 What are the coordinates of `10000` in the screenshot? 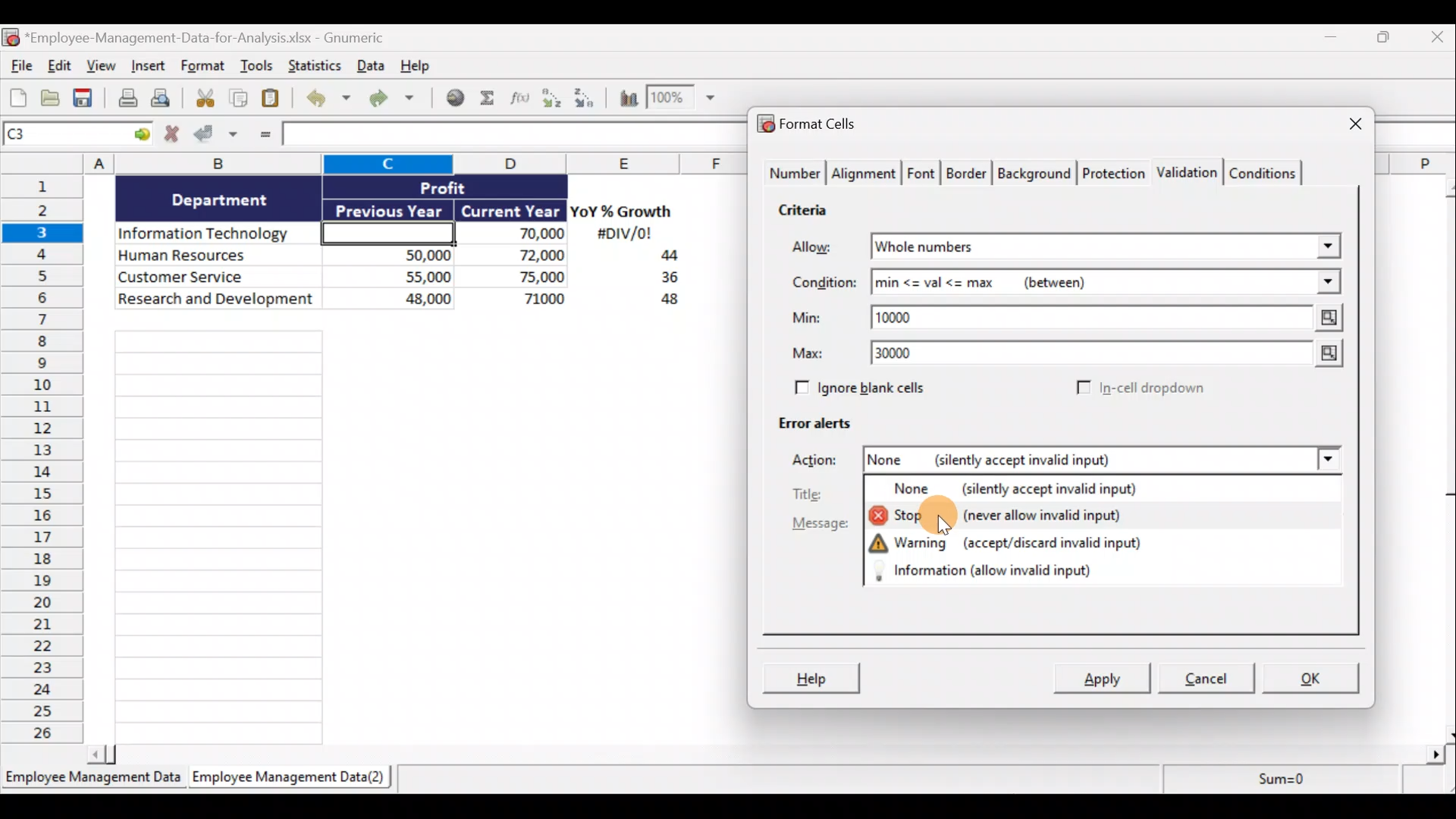 It's located at (905, 316).